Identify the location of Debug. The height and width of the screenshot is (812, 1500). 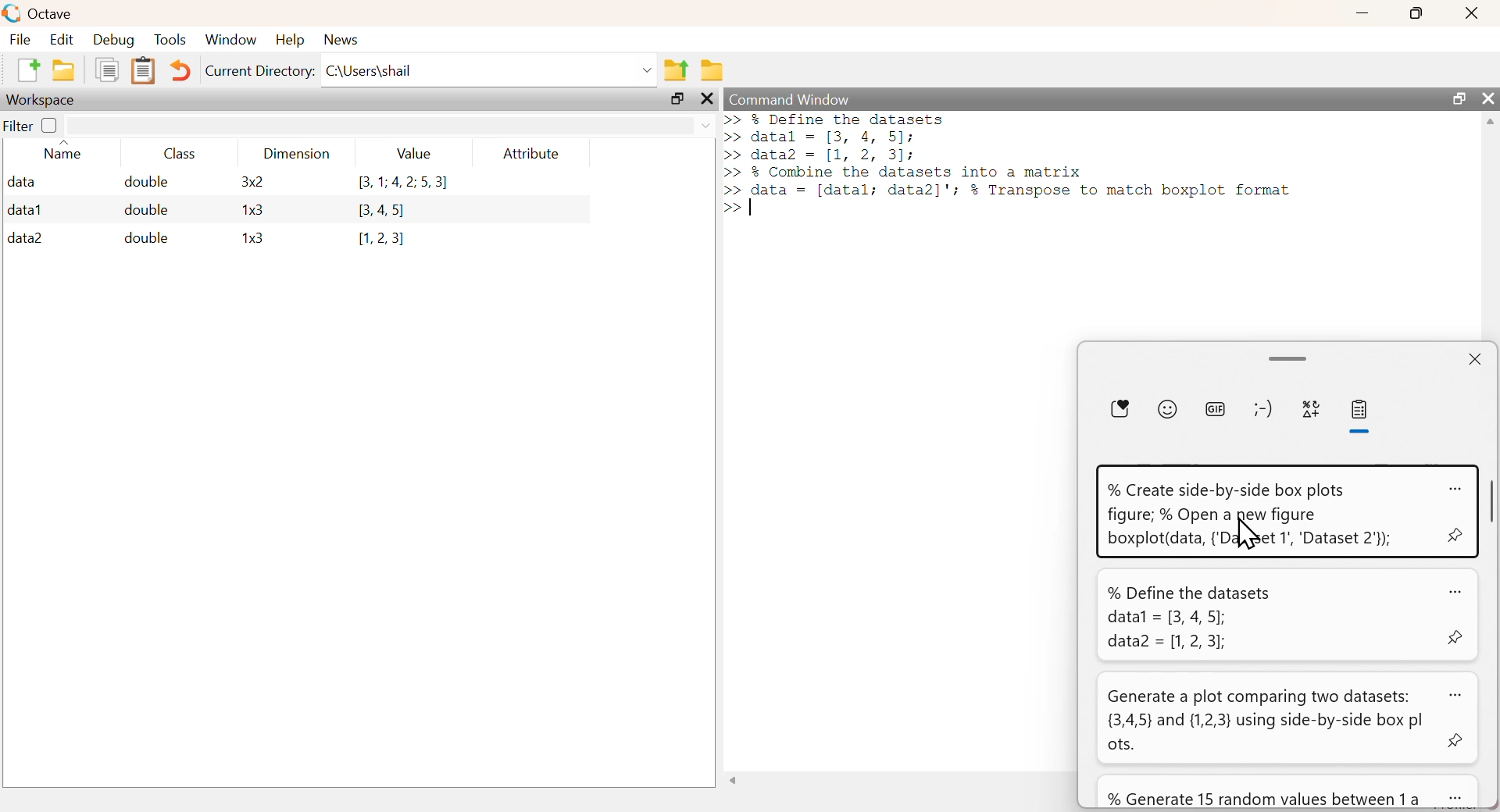
(114, 40).